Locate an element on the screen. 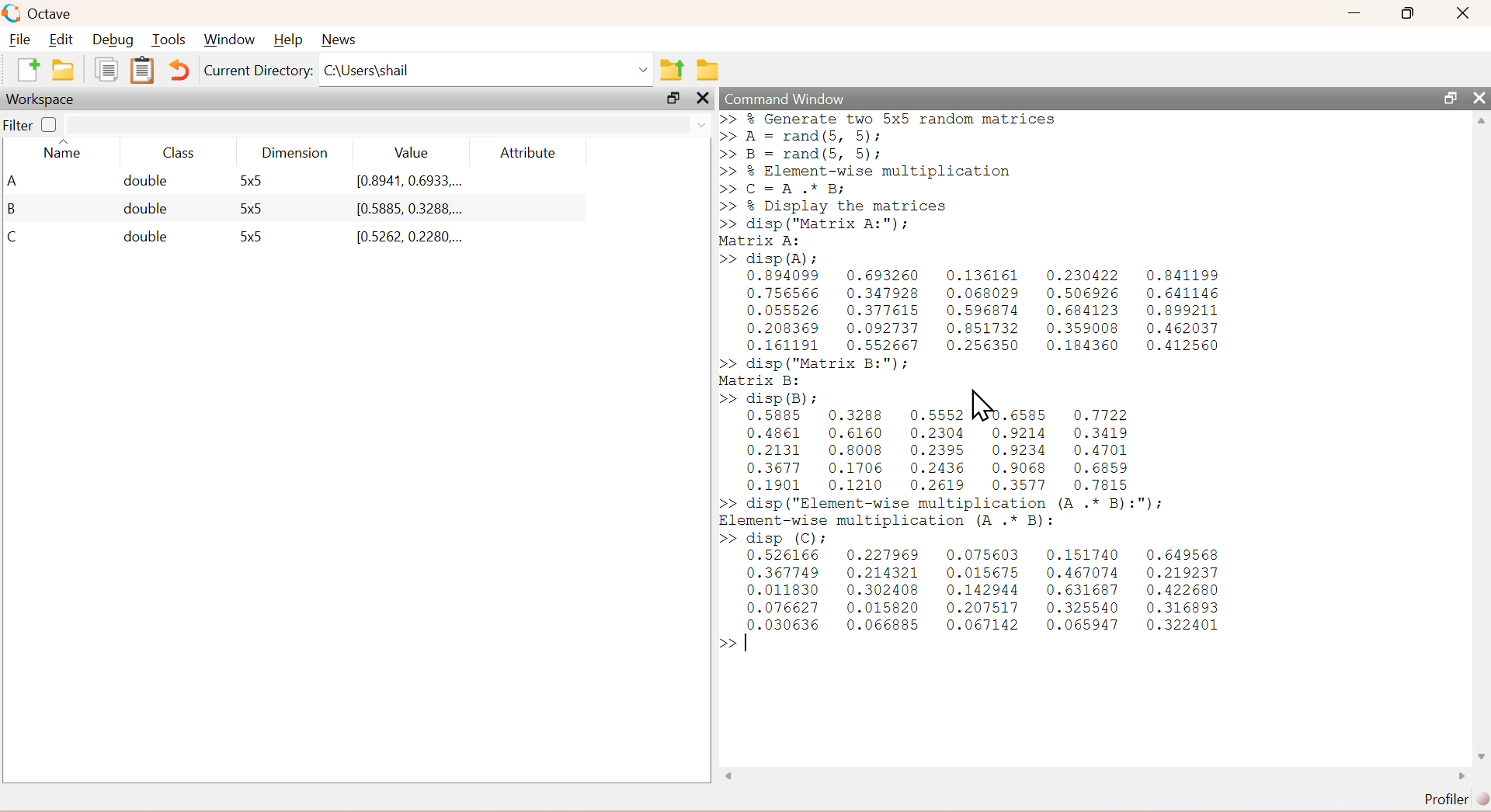 This screenshot has width=1491, height=812. Open an existing file in editor is located at coordinates (65, 72).